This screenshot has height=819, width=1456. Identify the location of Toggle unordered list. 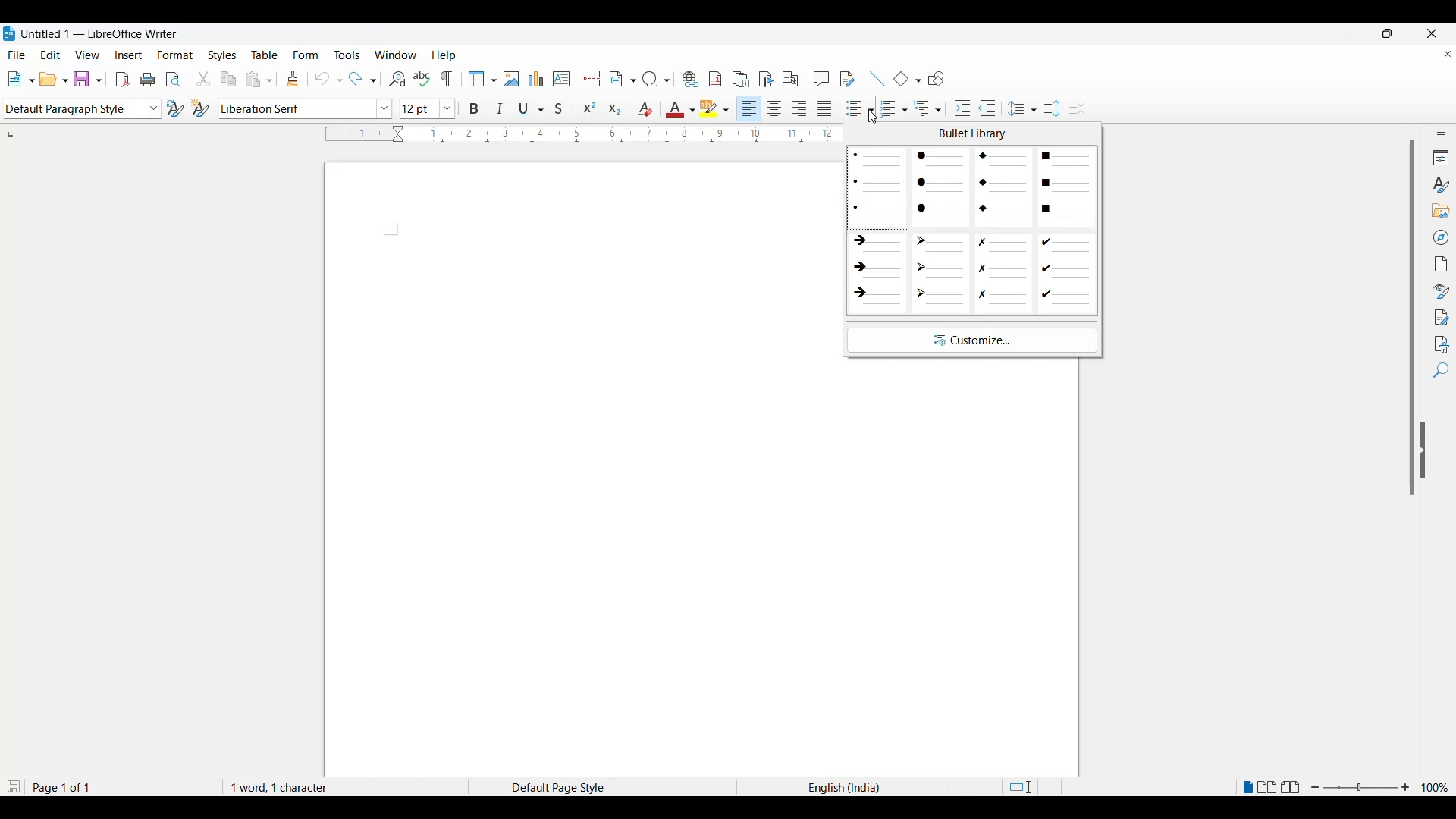
(856, 105).